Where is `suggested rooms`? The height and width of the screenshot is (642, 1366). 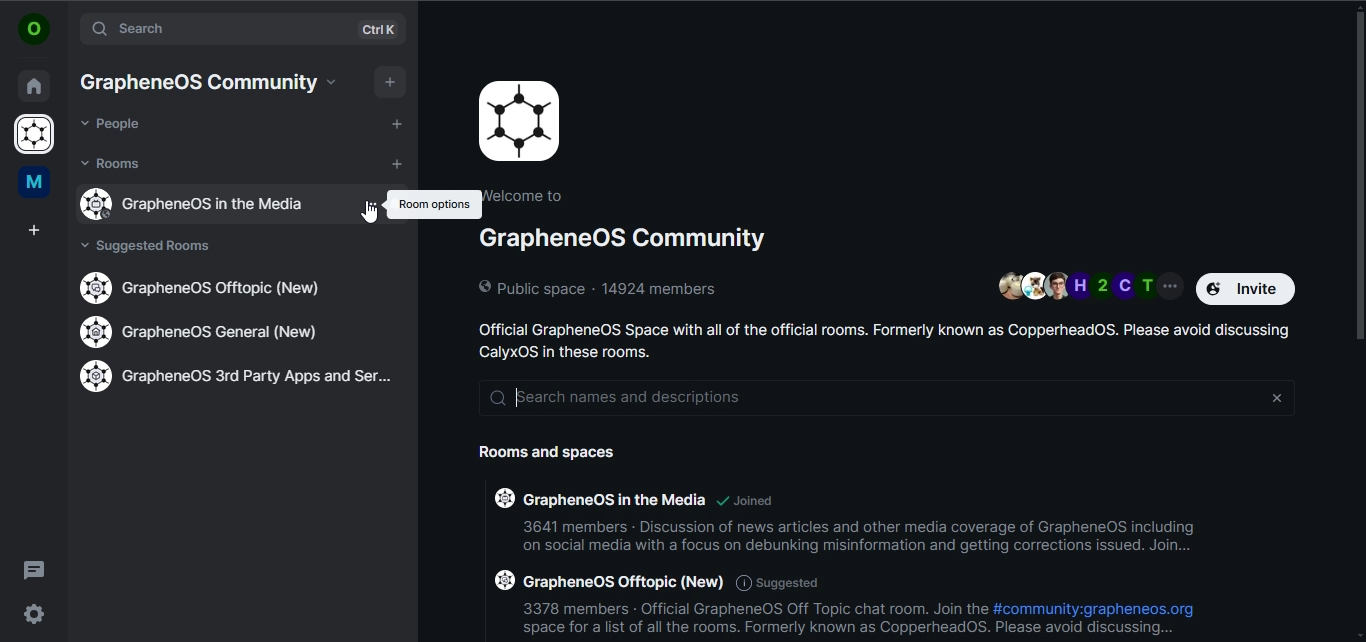
suggested rooms is located at coordinates (154, 247).